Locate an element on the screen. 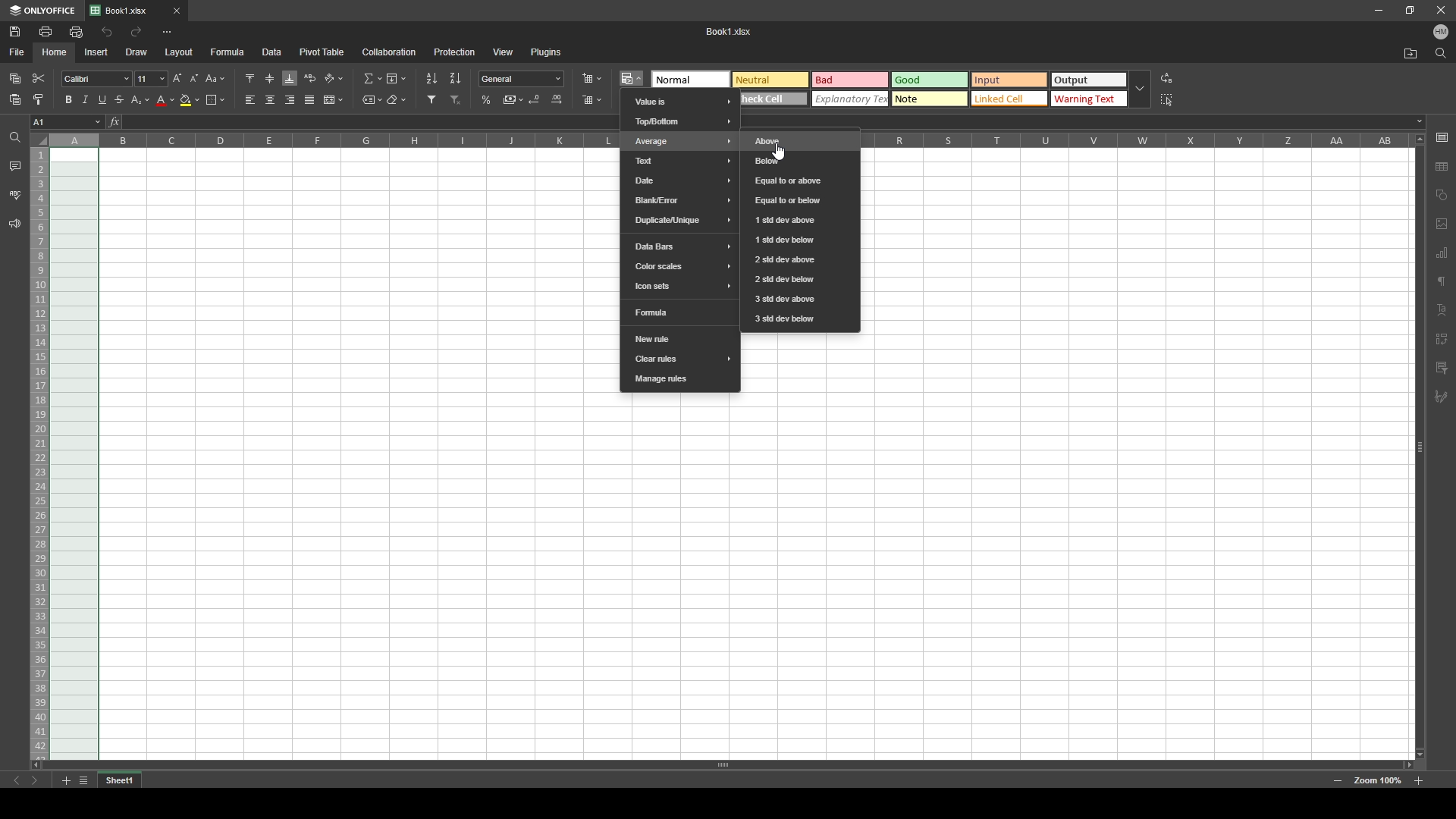 Image resolution: width=1456 pixels, height=819 pixels. select all is located at coordinates (1169, 99).